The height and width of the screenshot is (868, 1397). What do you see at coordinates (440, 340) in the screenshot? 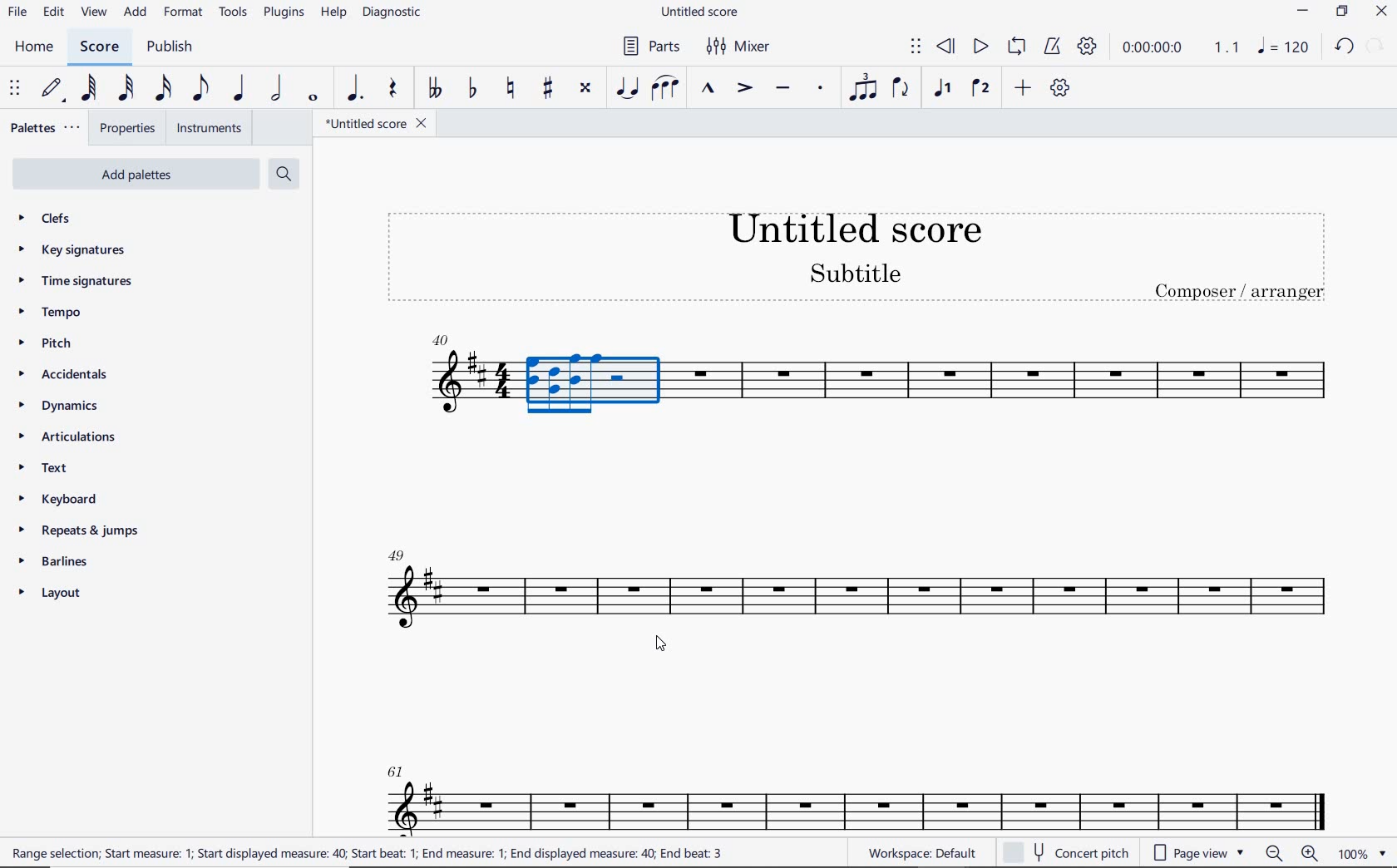
I see `measure added ` at bounding box center [440, 340].